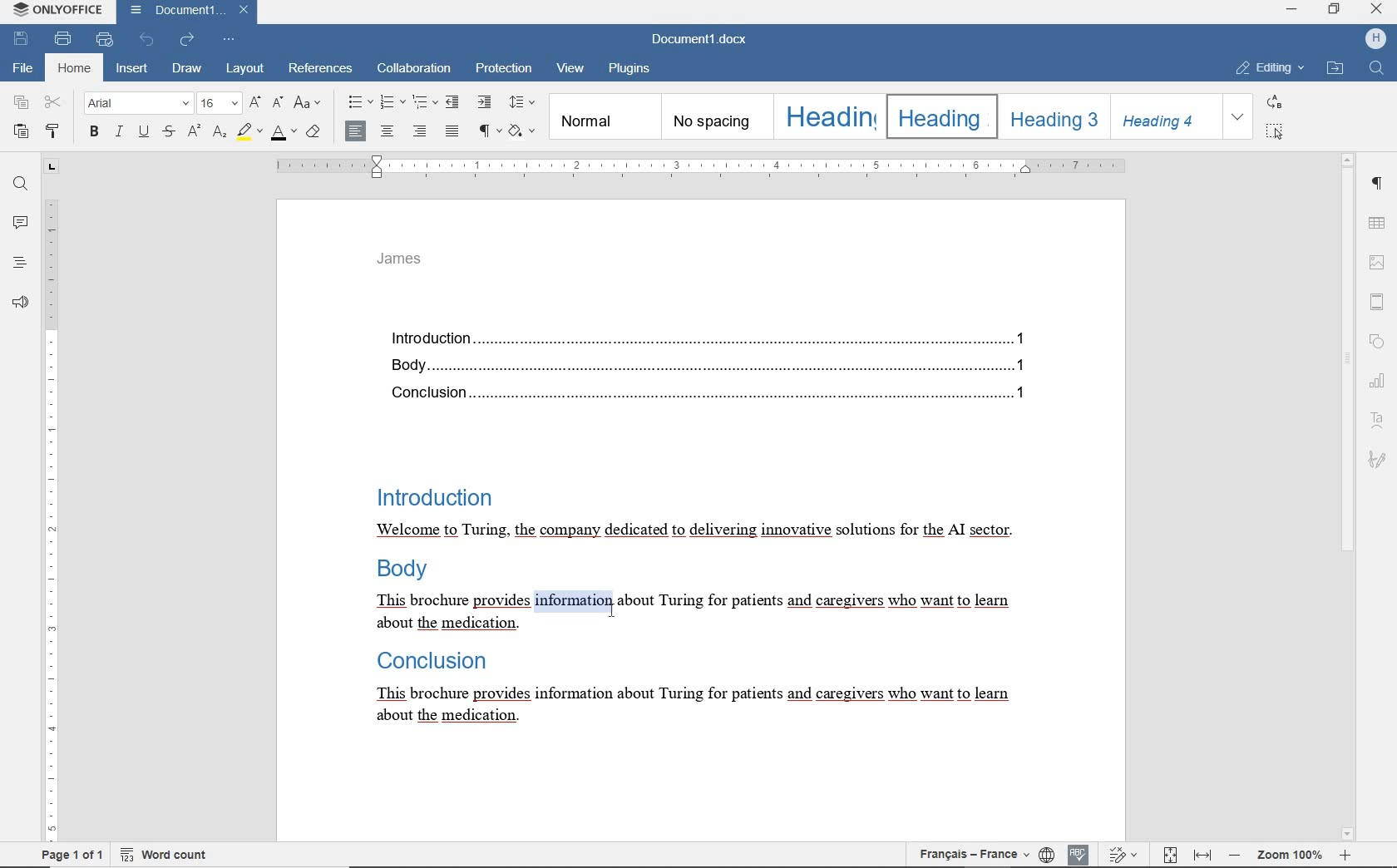  What do you see at coordinates (403, 264) in the screenshot?
I see `HEADER TEXT` at bounding box center [403, 264].